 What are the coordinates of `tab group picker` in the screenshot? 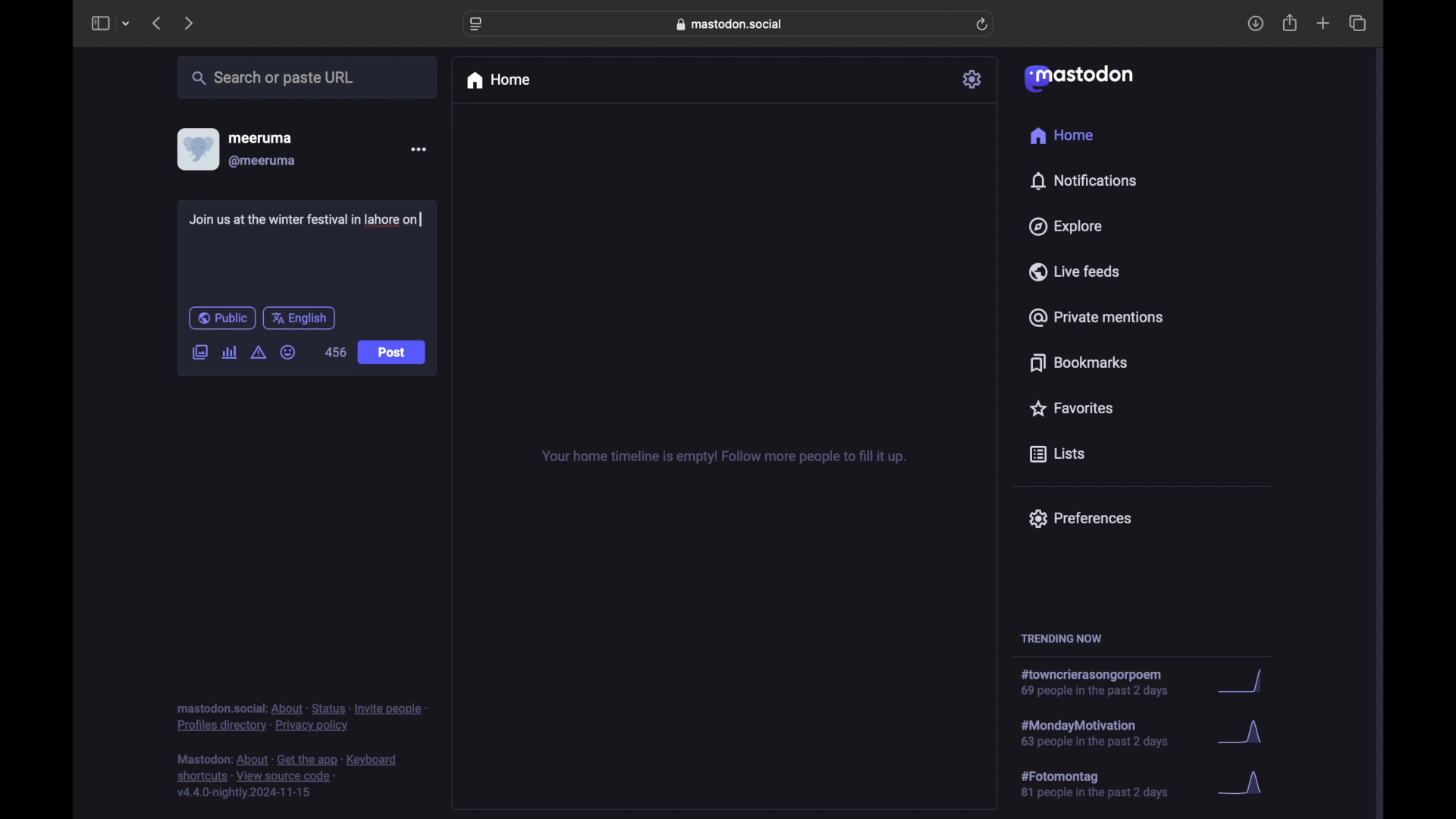 It's located at (126, 24).